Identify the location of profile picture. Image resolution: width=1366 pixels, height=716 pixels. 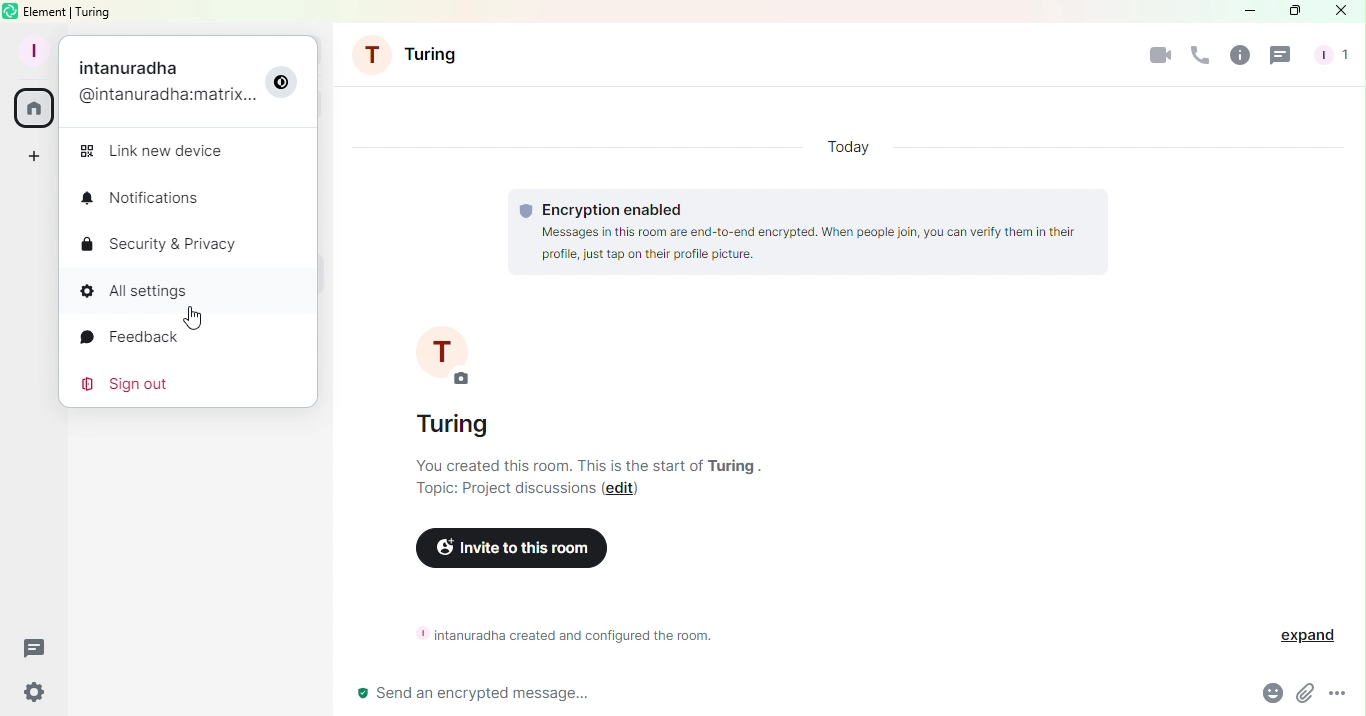
(443, 350).